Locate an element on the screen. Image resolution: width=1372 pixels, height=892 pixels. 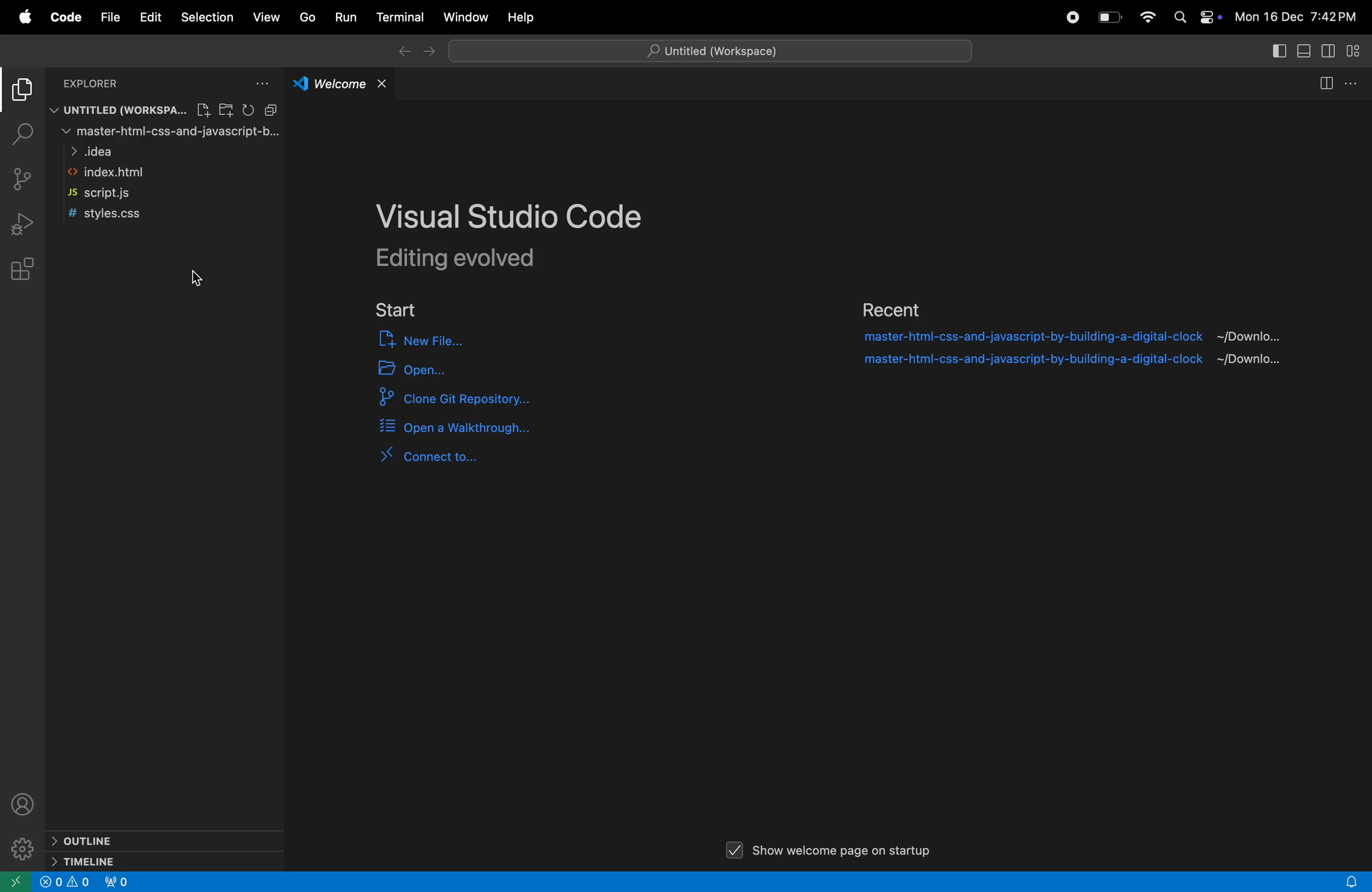
options is located at coordinates (259, 83).